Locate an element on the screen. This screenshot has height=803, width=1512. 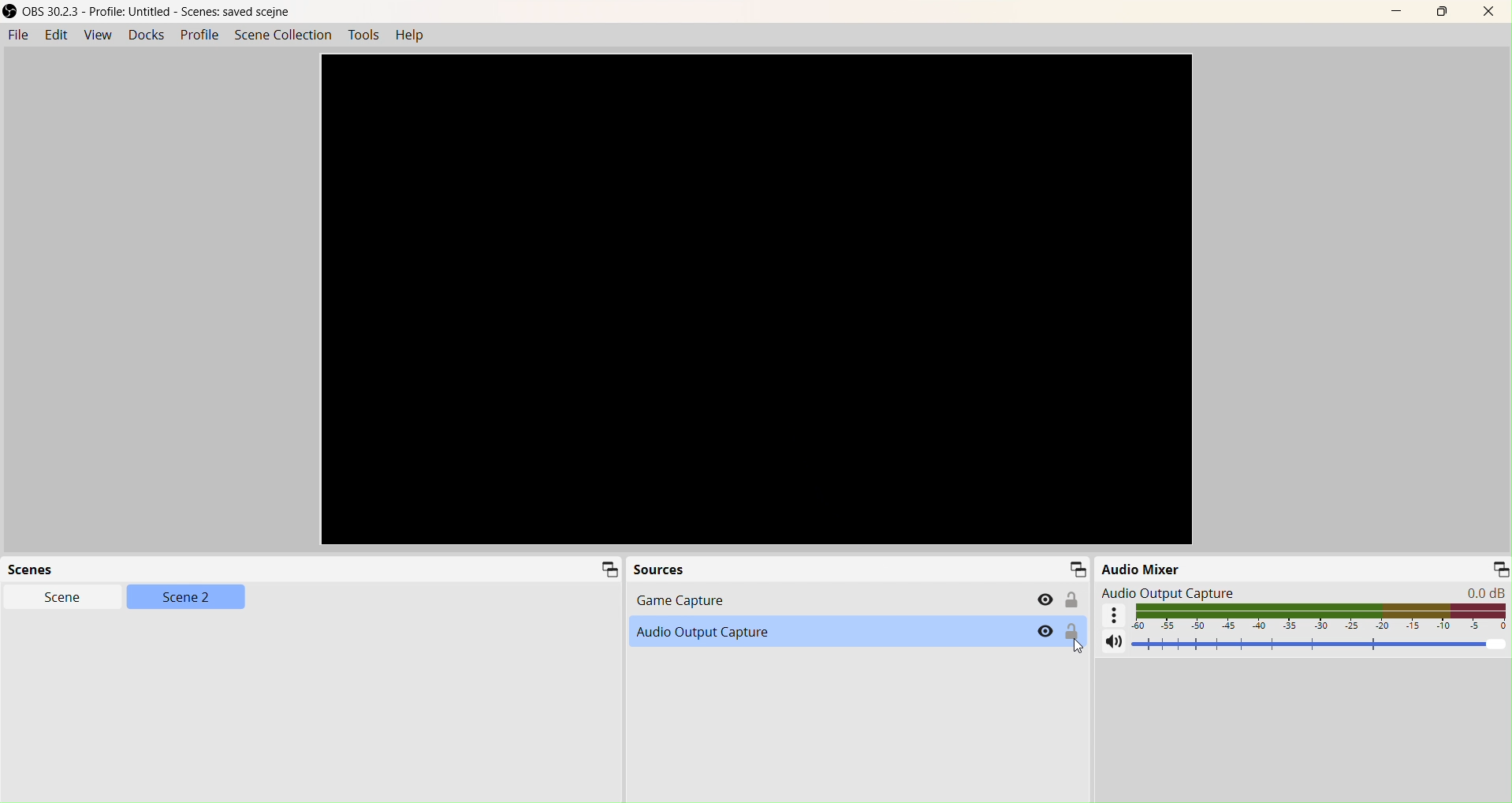
Scene2 is located at coordinates (186, 598).